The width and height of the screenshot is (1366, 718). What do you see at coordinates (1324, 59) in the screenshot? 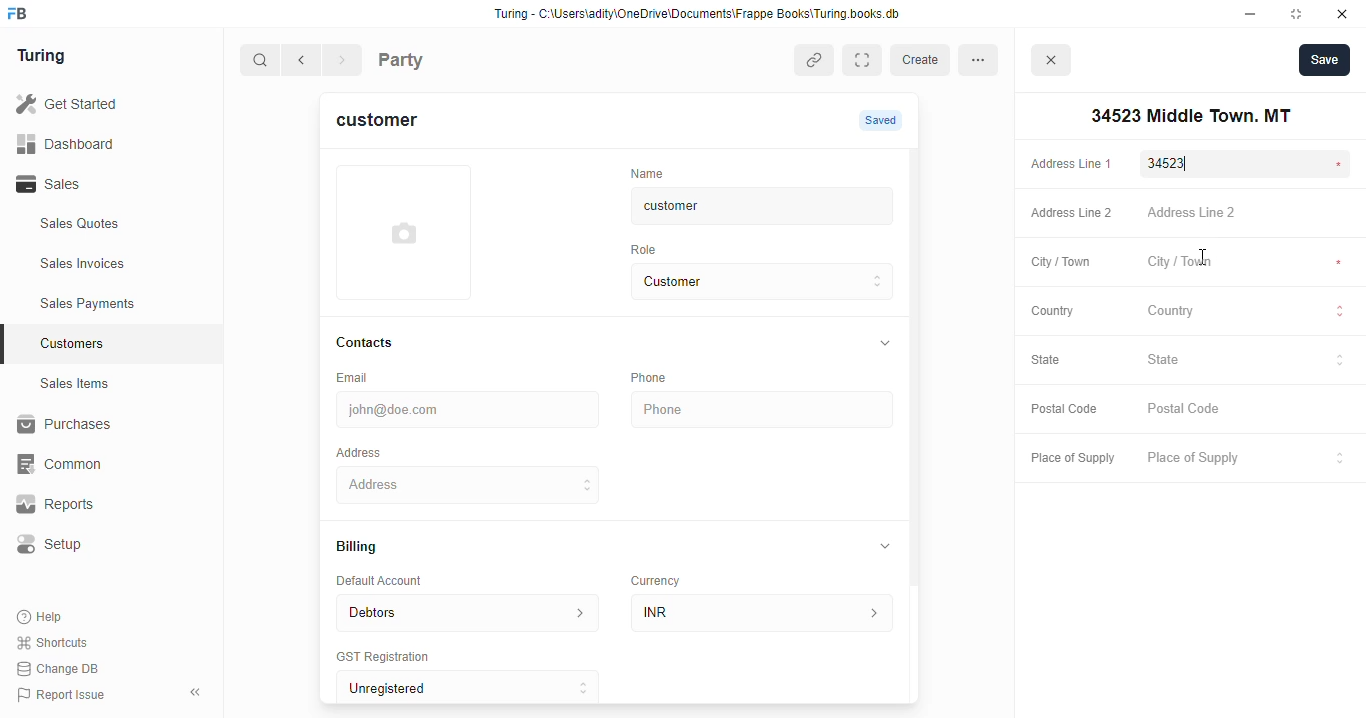
I see `Save` at bounding box center [1324, 59].